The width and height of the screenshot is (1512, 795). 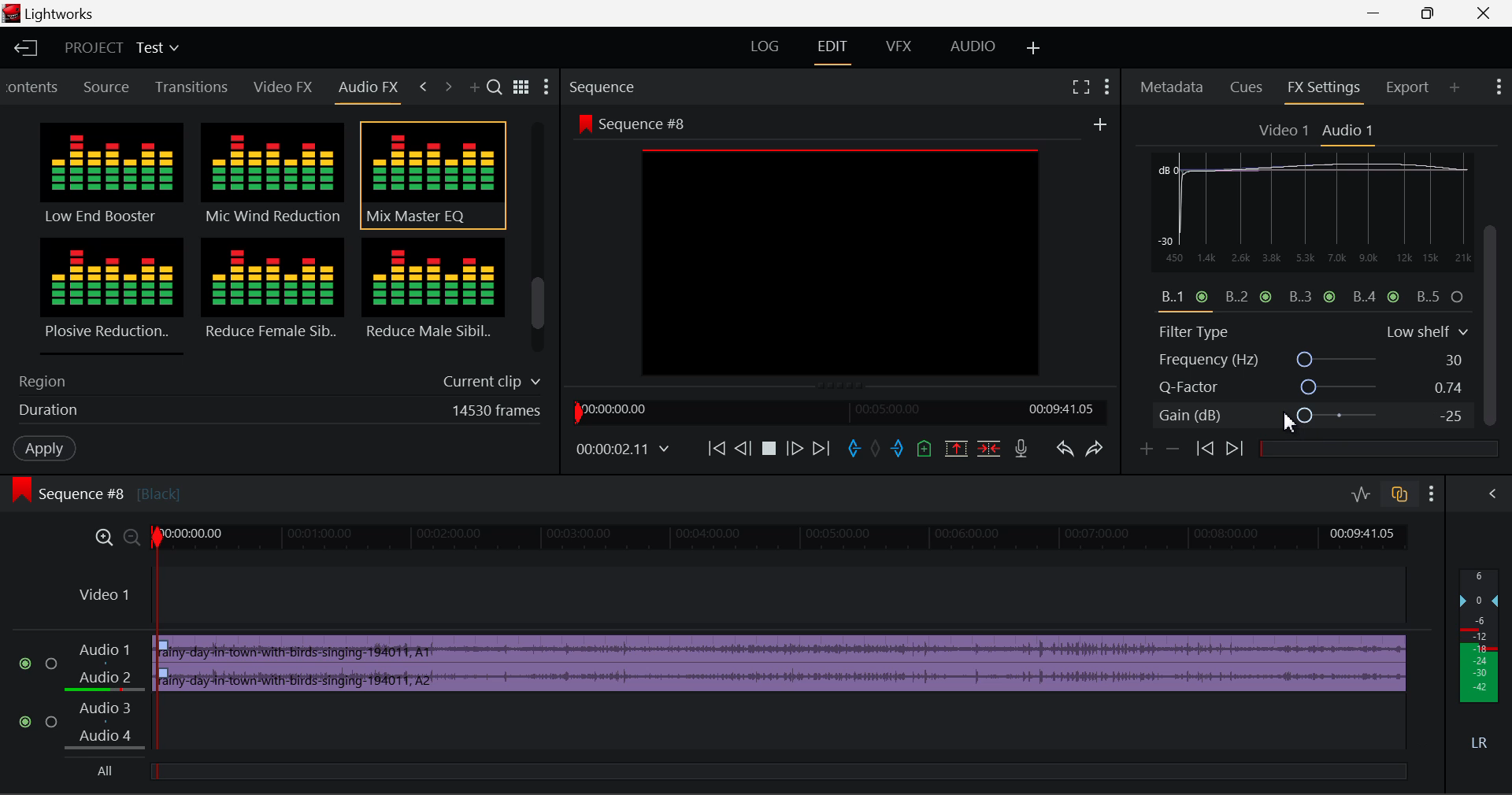 I want to click on Close, so click(x=1476, y=13).